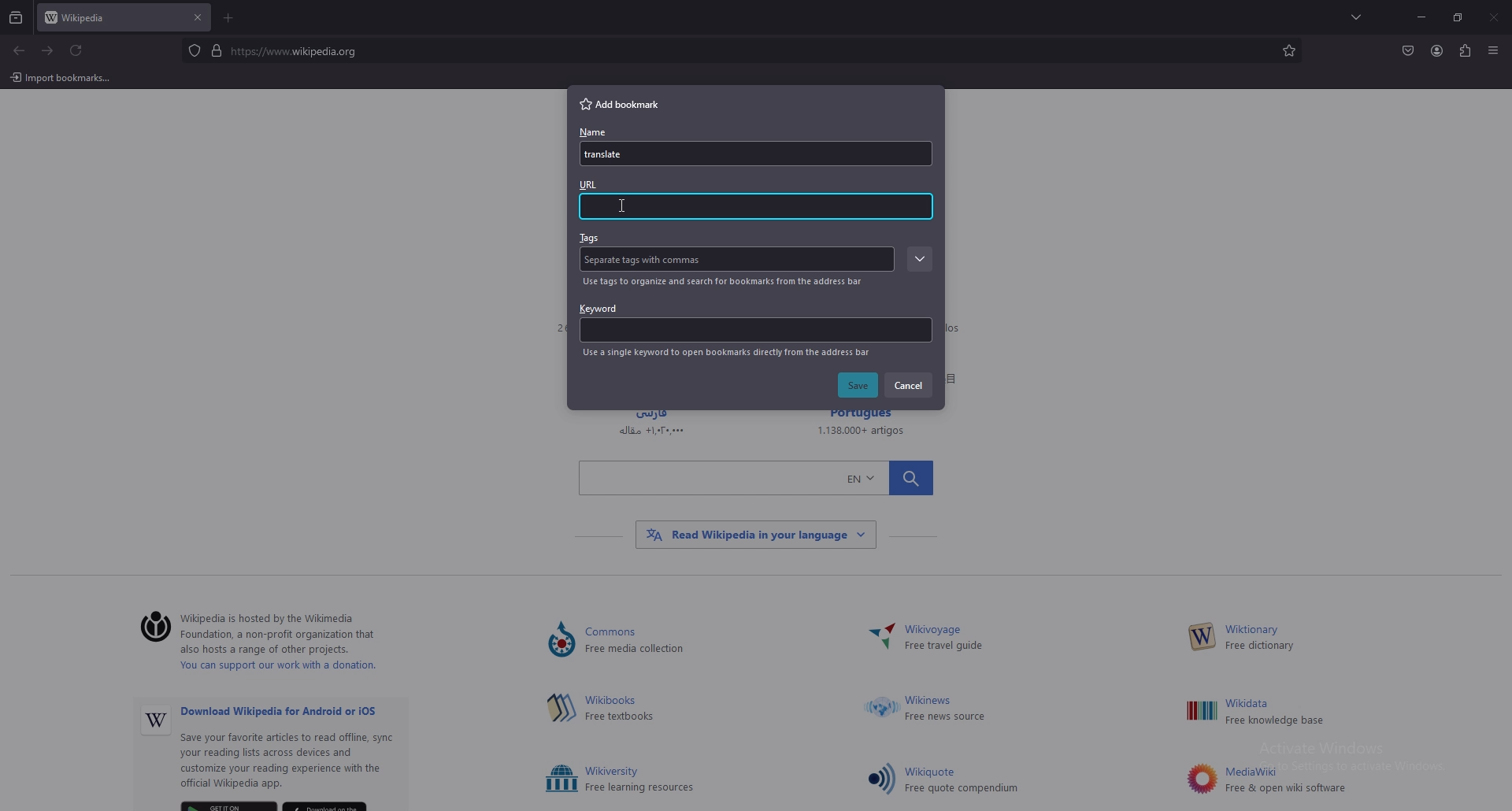 The height and width of the screenshot is (811, 1512). What do you see at coordinates (150, 628) in the screenshot?
I see `©` at bounding box center [150, 628].